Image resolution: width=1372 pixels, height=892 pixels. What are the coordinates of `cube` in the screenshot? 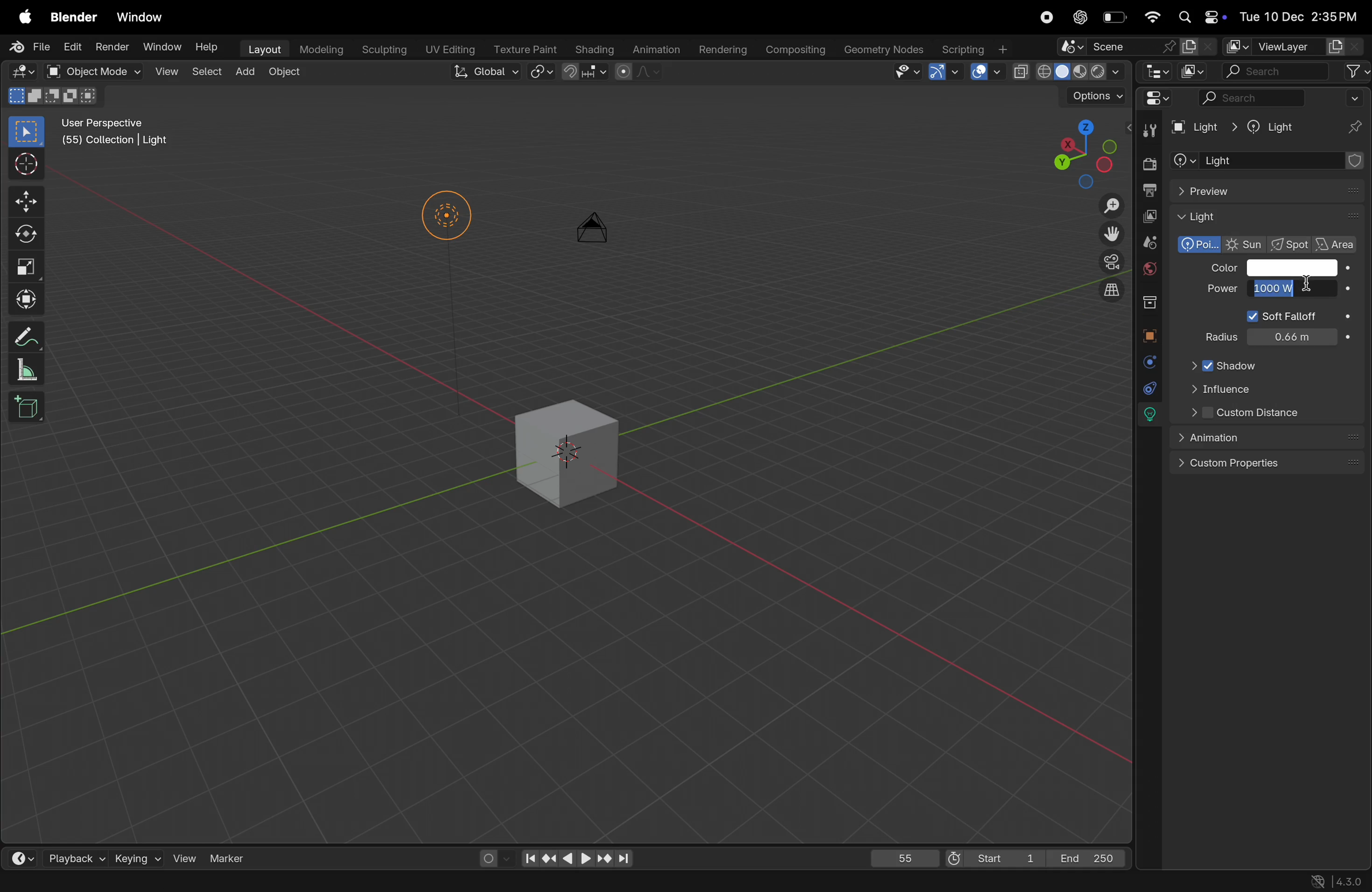 It's located at (30, 411).